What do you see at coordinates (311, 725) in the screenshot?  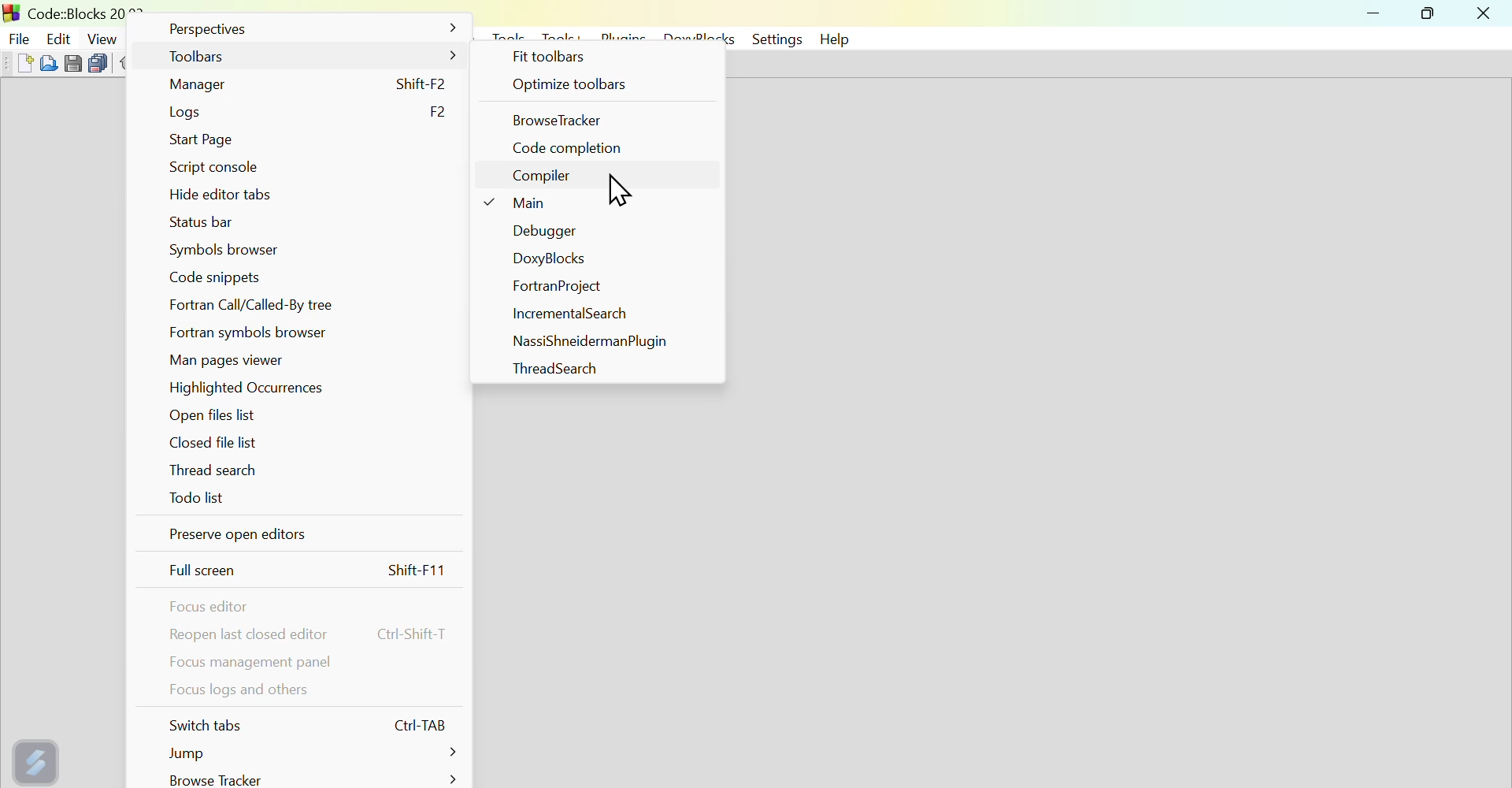 I see `Switch tabs` at bounding box center [311, 725].